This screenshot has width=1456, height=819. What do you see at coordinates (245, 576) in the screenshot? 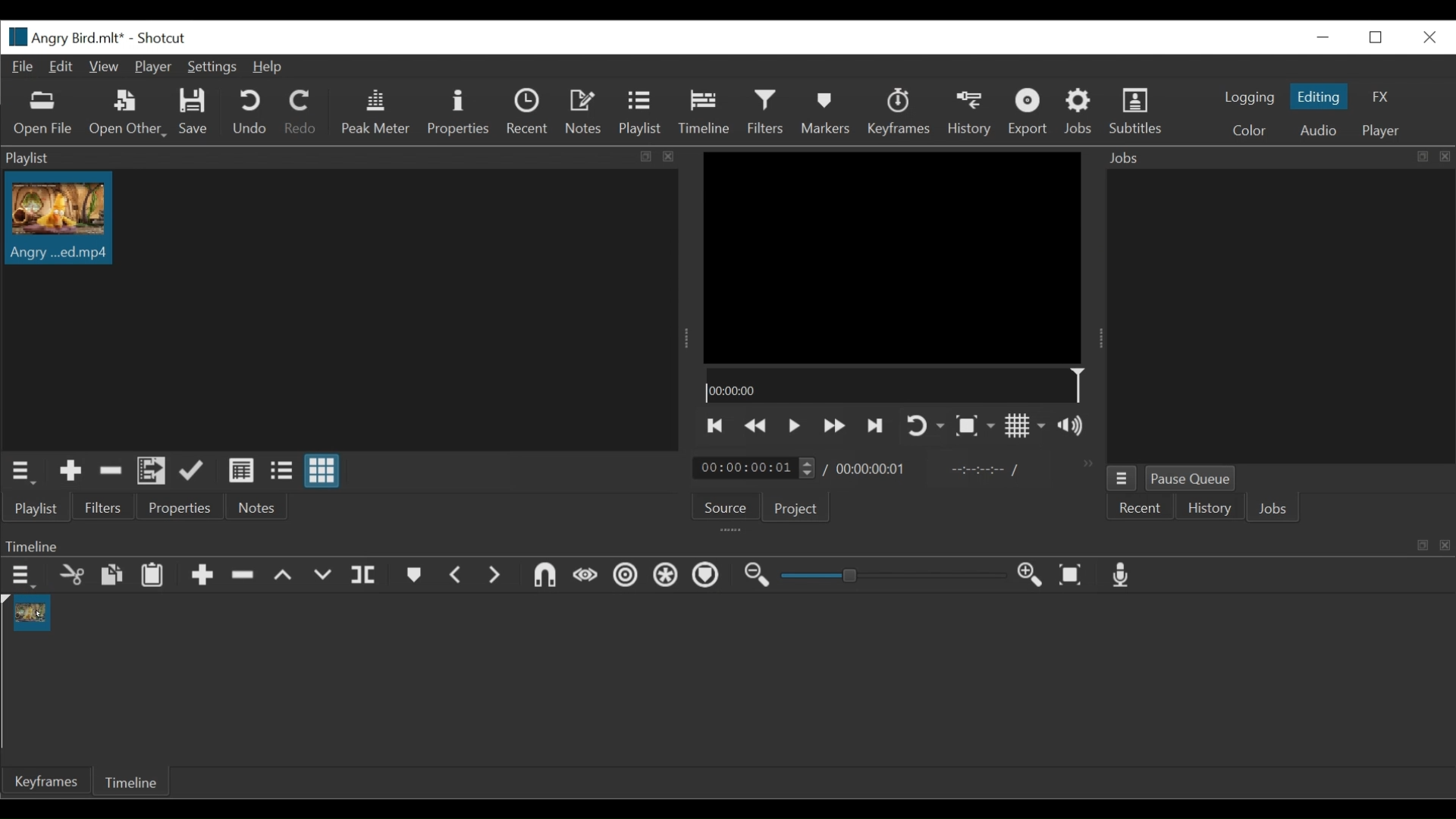
I see `Ripple Delete` at bounding box center [245, 576].